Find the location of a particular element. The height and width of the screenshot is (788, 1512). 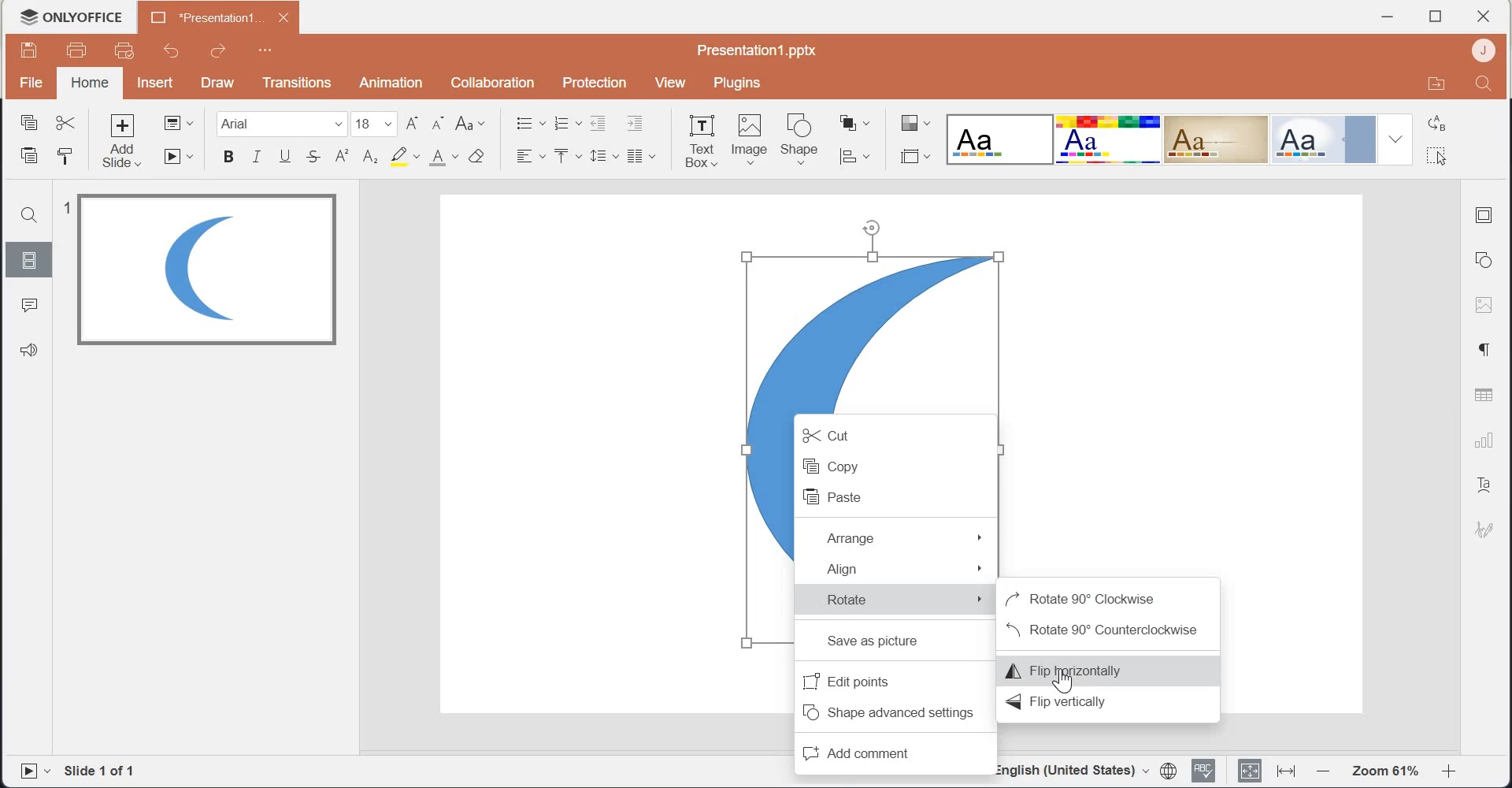

Start slideshow is located at coordinates (180, 157).